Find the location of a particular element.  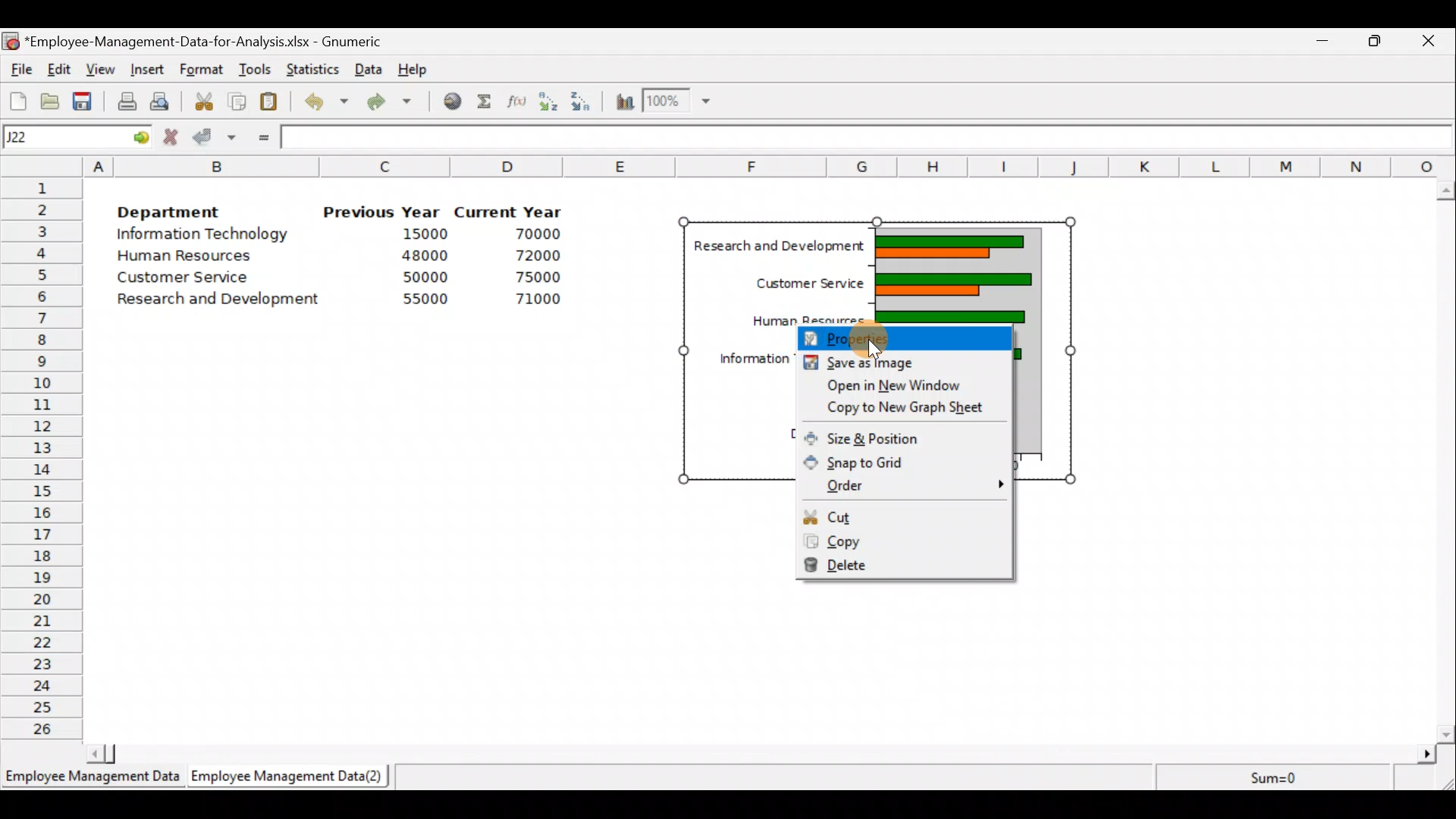

Gnumeric logo is located at coordinates (12, 41).